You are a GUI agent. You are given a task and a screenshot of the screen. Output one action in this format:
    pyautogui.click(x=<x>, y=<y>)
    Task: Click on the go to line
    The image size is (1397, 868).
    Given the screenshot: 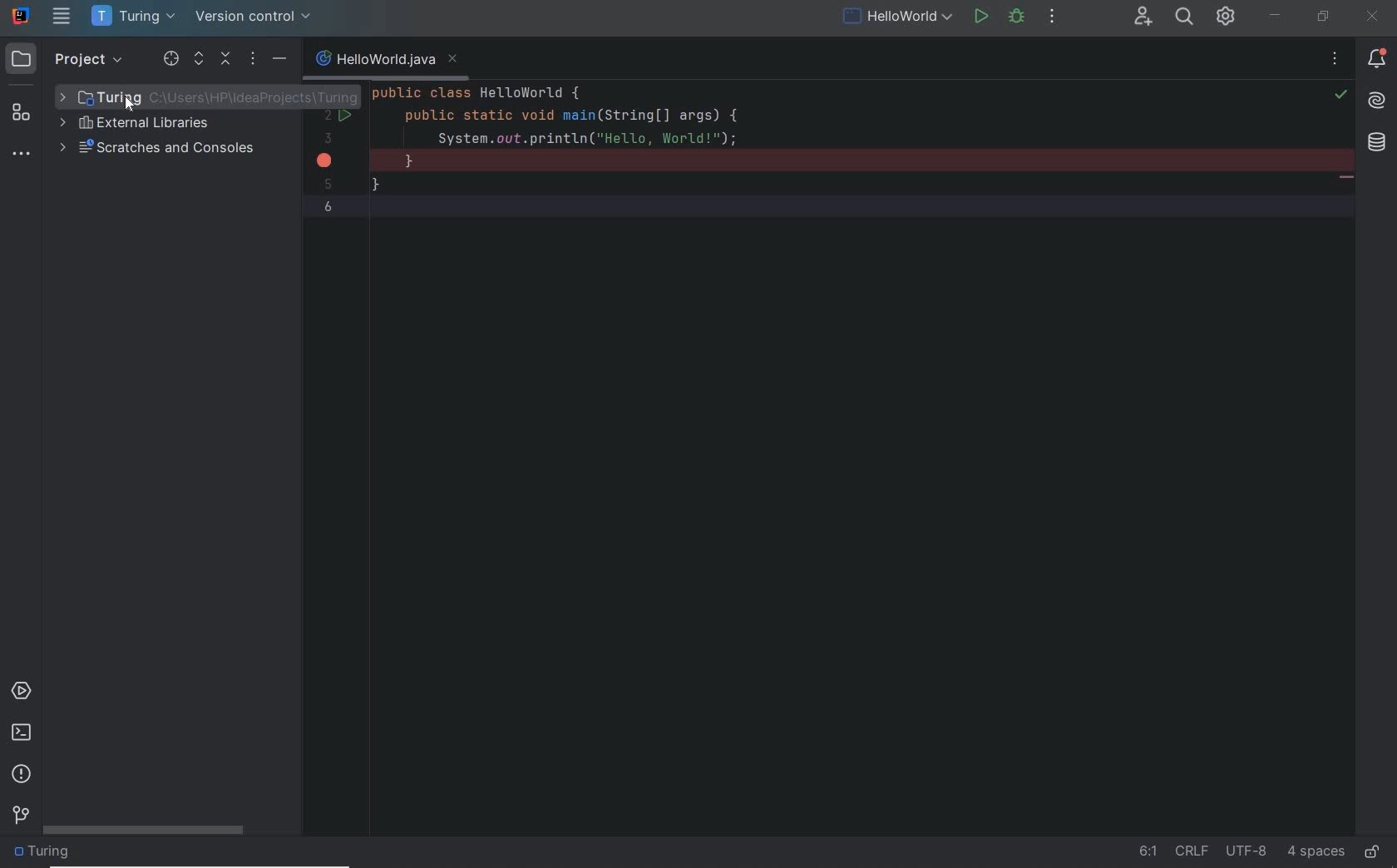 What is the action you would take?
    pyautogui.click(x=1148, y=851)
    